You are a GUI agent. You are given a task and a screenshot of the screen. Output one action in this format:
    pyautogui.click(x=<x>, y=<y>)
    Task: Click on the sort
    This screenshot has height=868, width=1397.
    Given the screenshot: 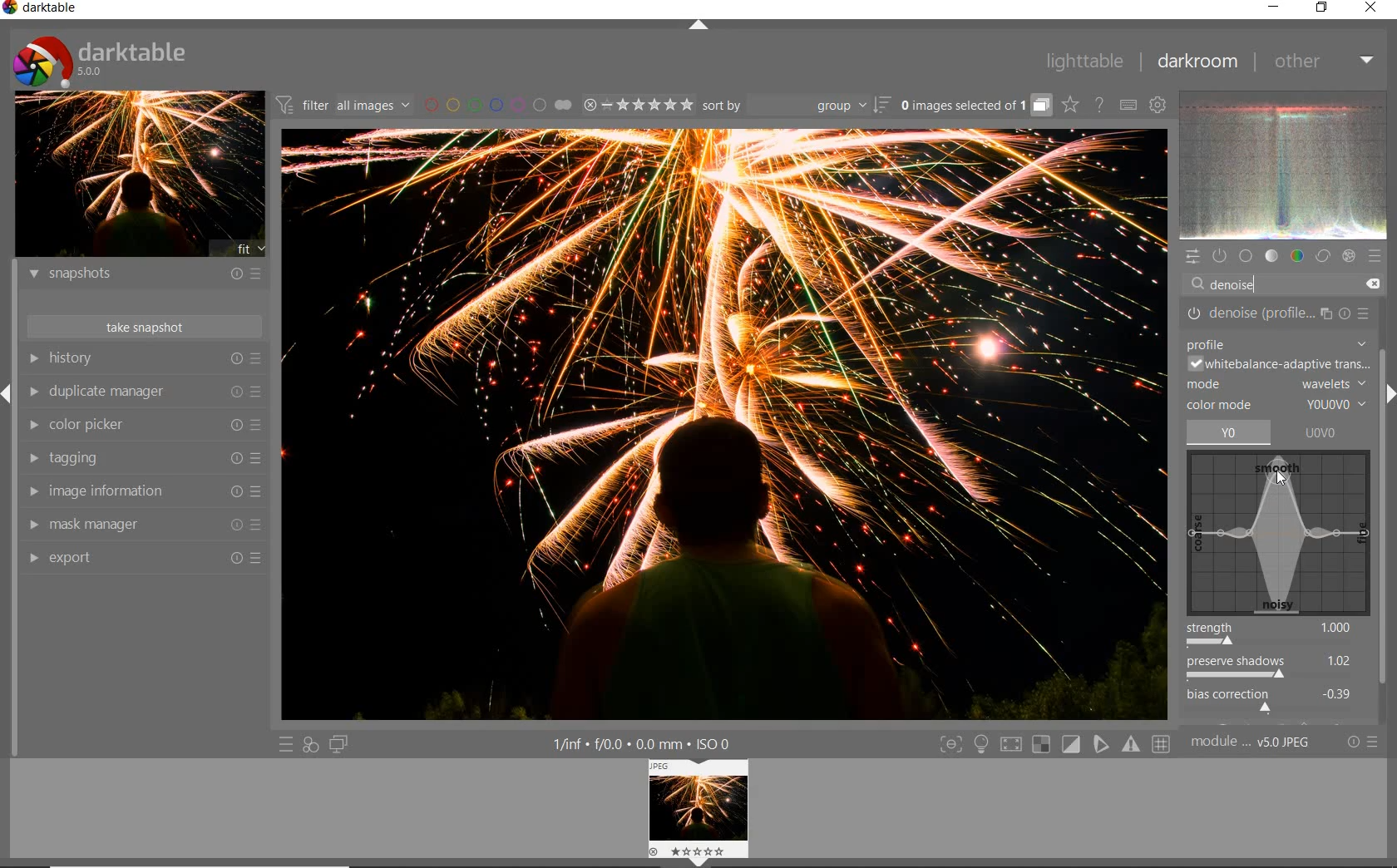 What is the action you would take?
    pyautogui.click(x=795, y=106)
    